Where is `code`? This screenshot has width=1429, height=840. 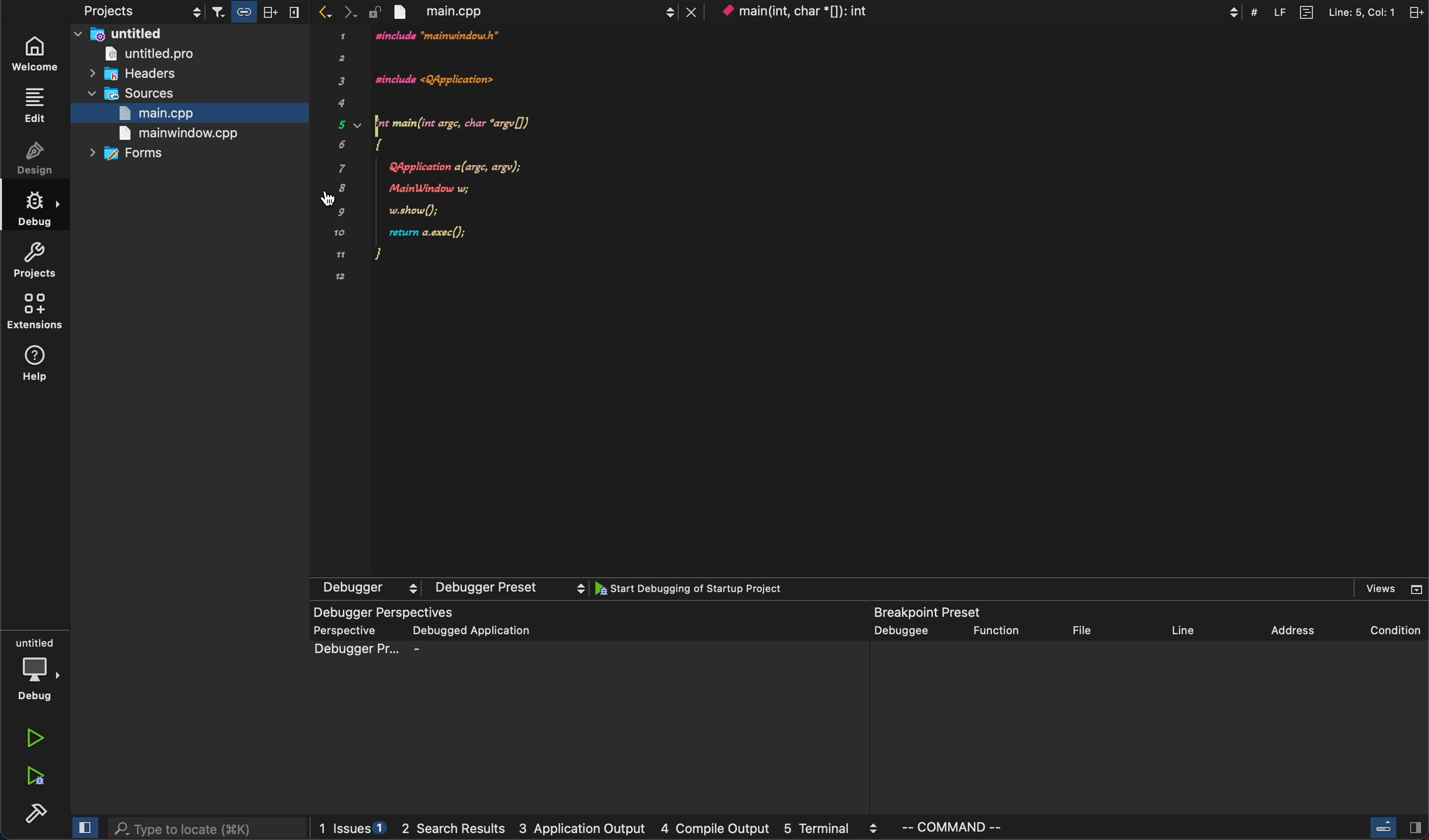
code is located at coordinates (512, 163).